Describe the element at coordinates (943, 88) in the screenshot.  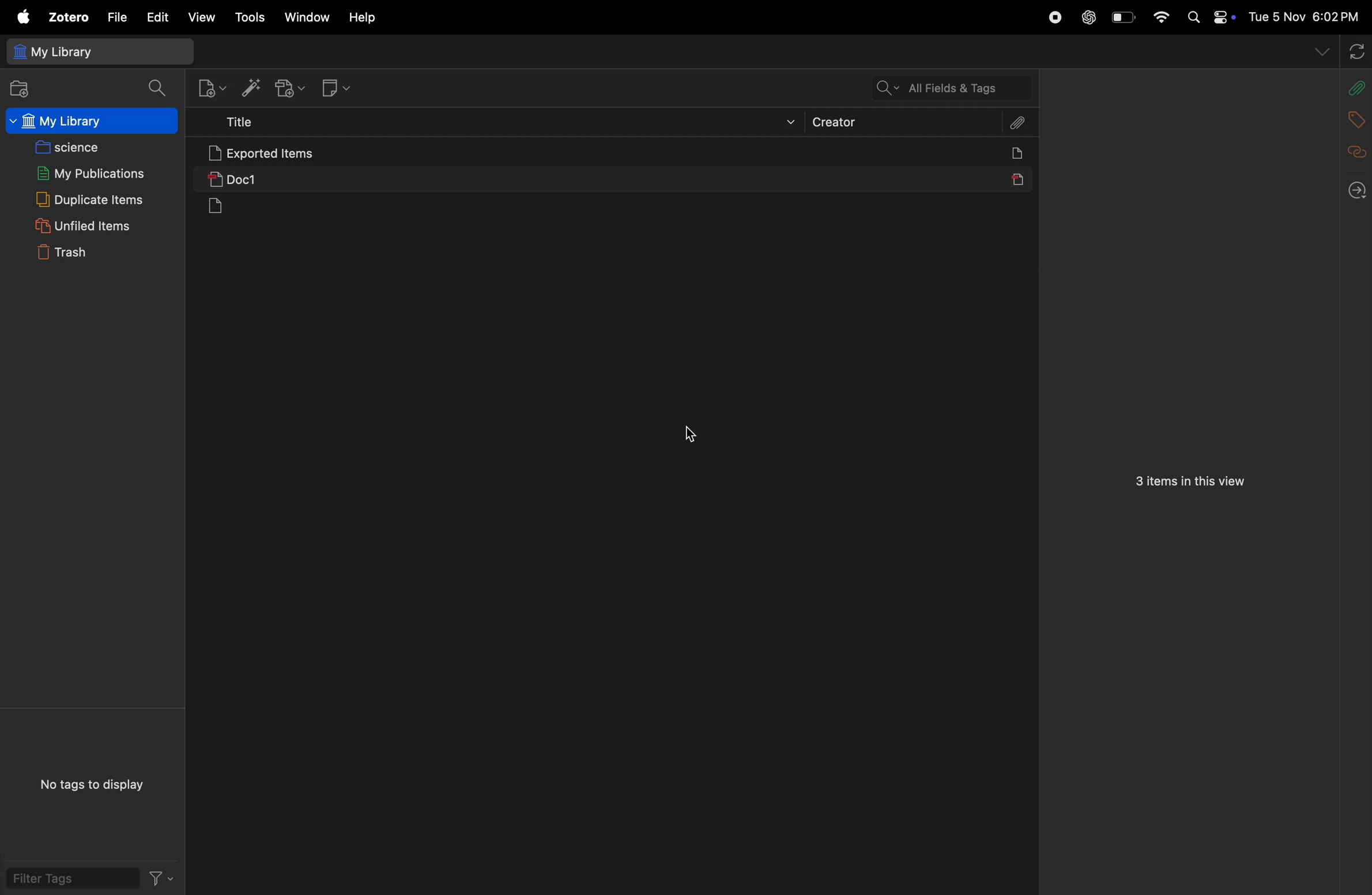
I see `search tags` at that location.